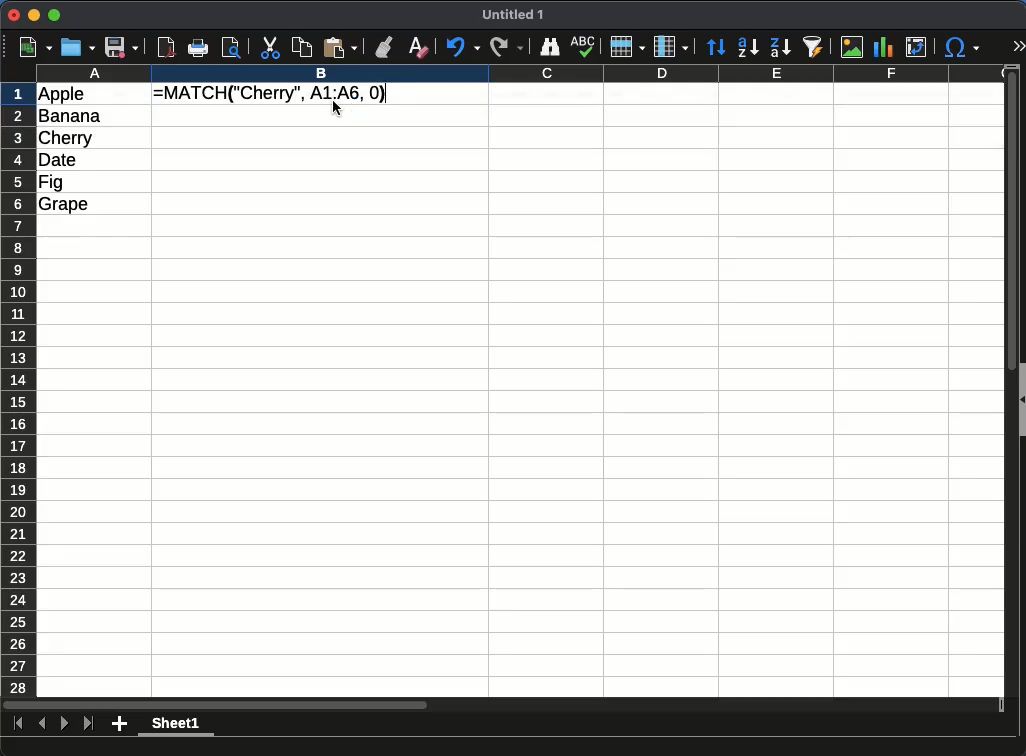 Image resolution: width=1026 pixels, height=756 pixels. I want to click on previous sheet, so click(42, 724).